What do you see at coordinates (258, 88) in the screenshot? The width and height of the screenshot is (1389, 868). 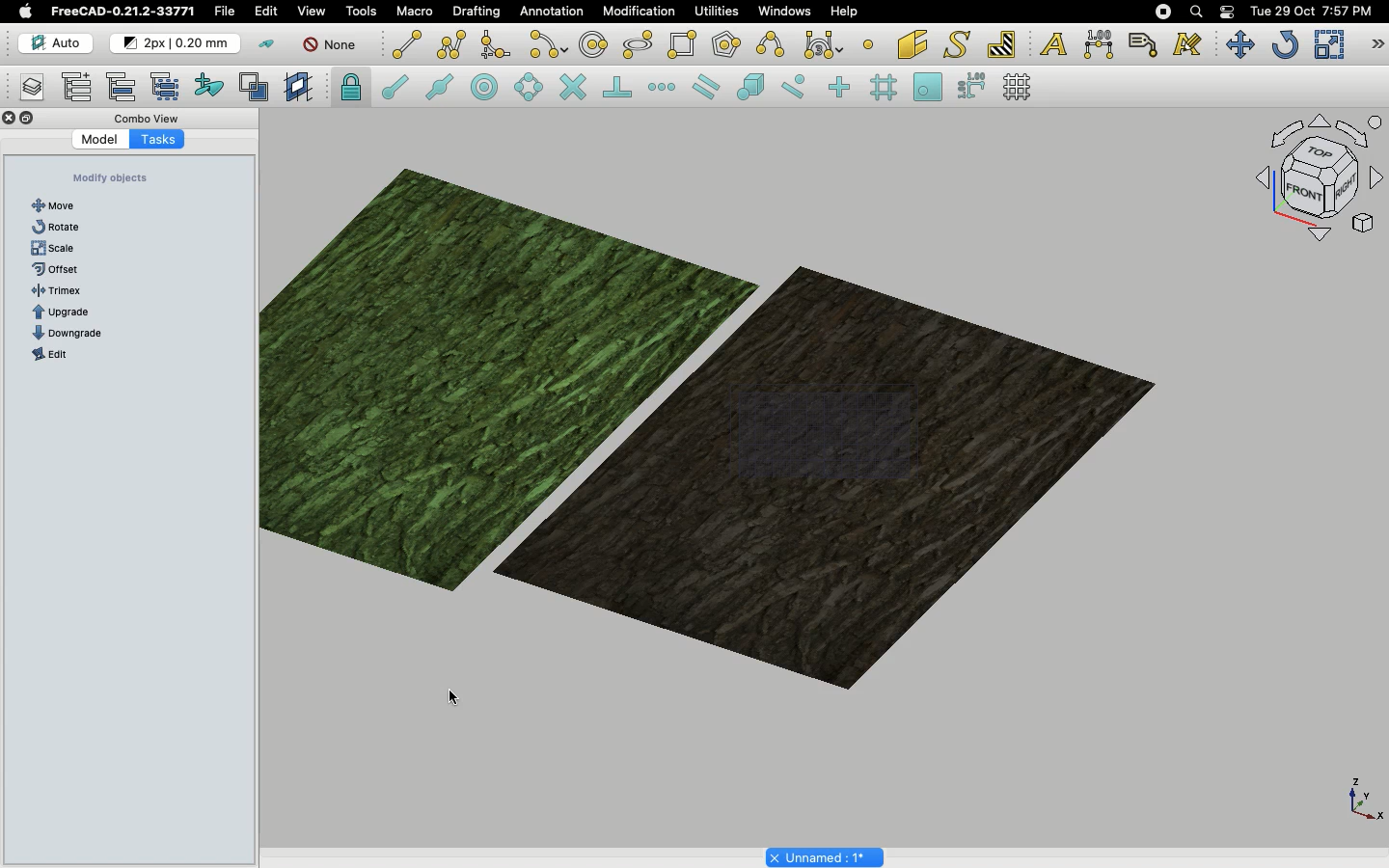 I see `Create working plane proxy` at bounding box center [258, 88].